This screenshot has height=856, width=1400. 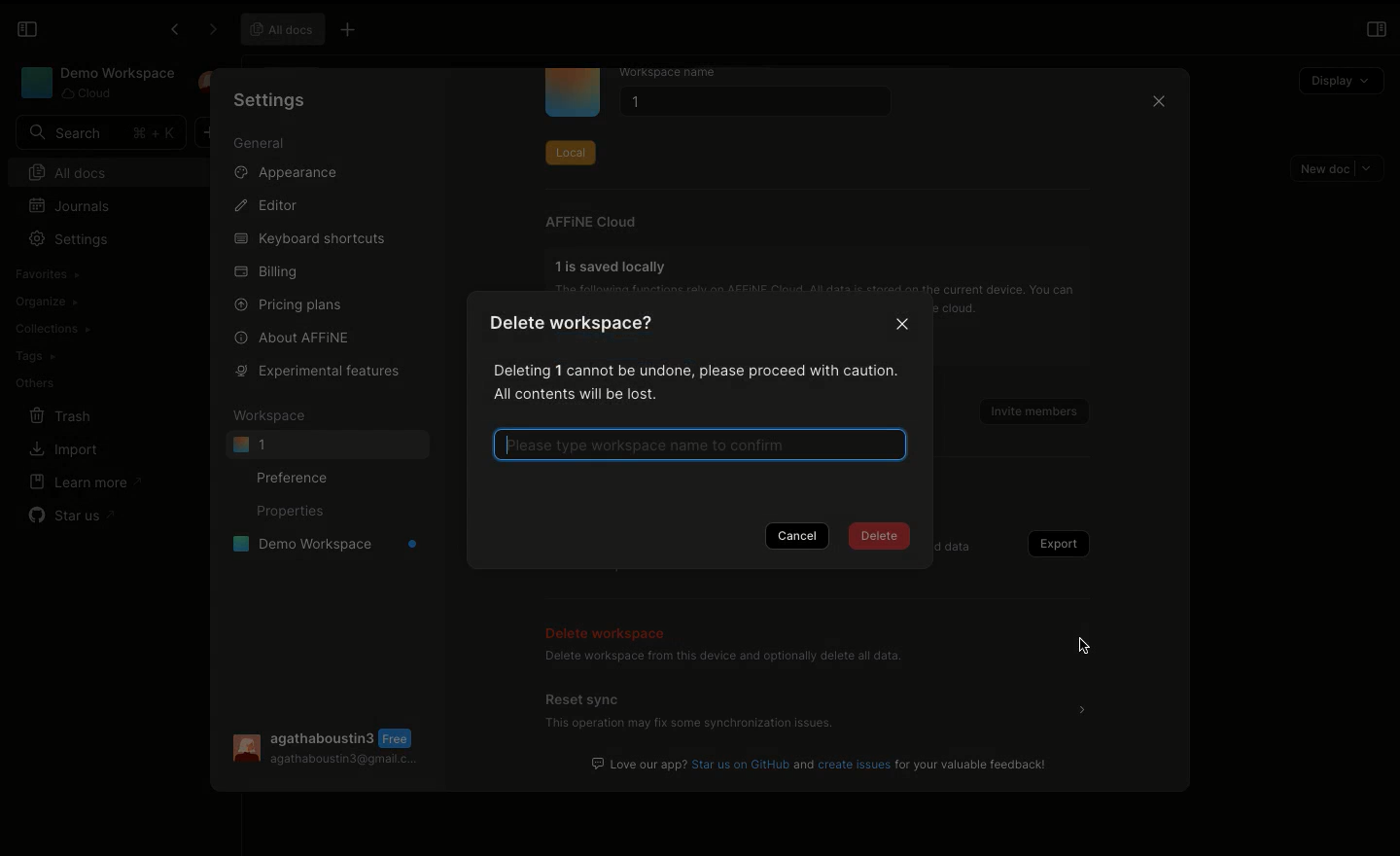 What do you see at coordinates (683, 73) in the screenshot?
I see `Workspace name` at bounding box center [683, 73].